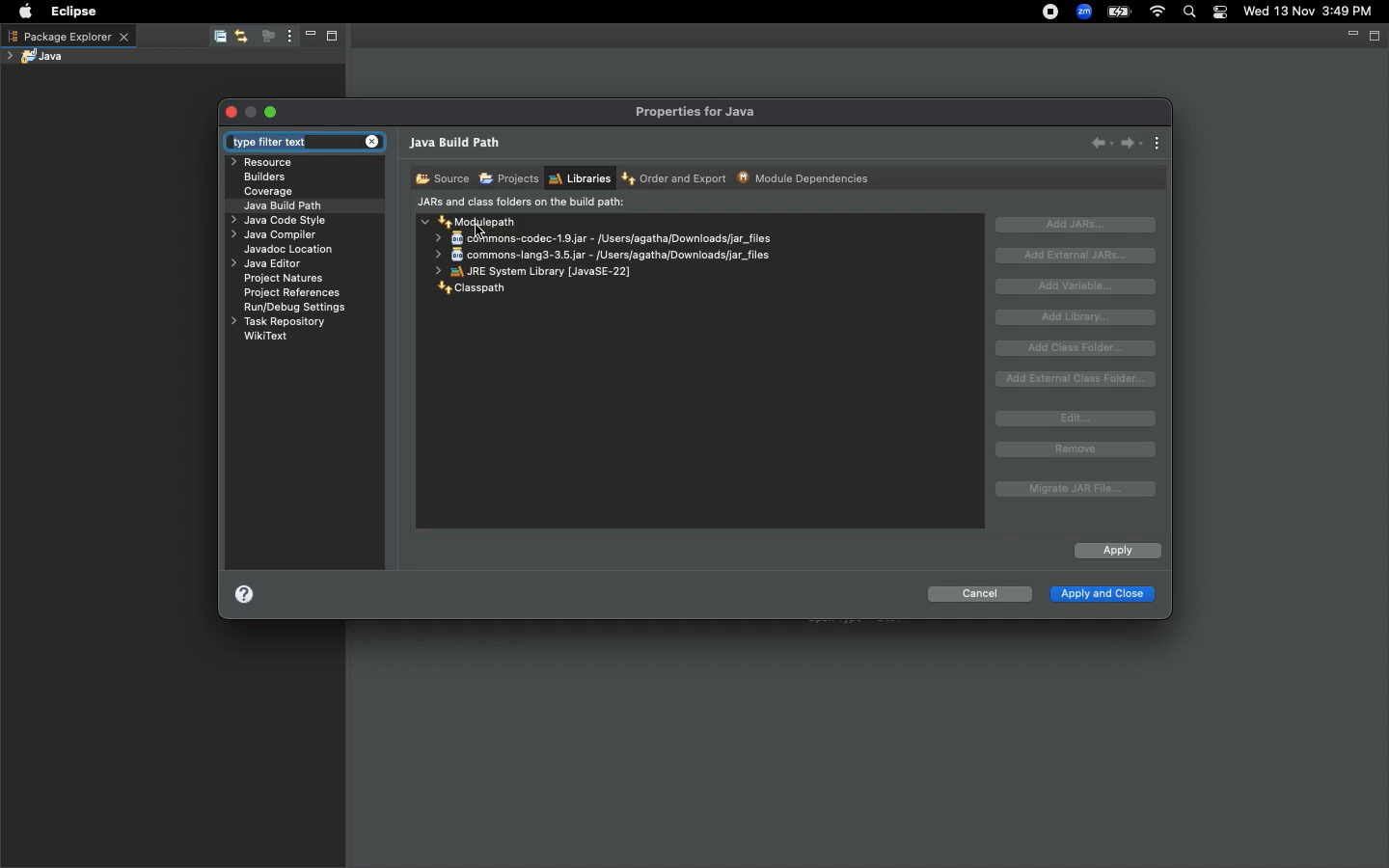  What do you see at coordinates (244, 598) in the screenshot?
I see `Help` at bounding box center [244, 598].